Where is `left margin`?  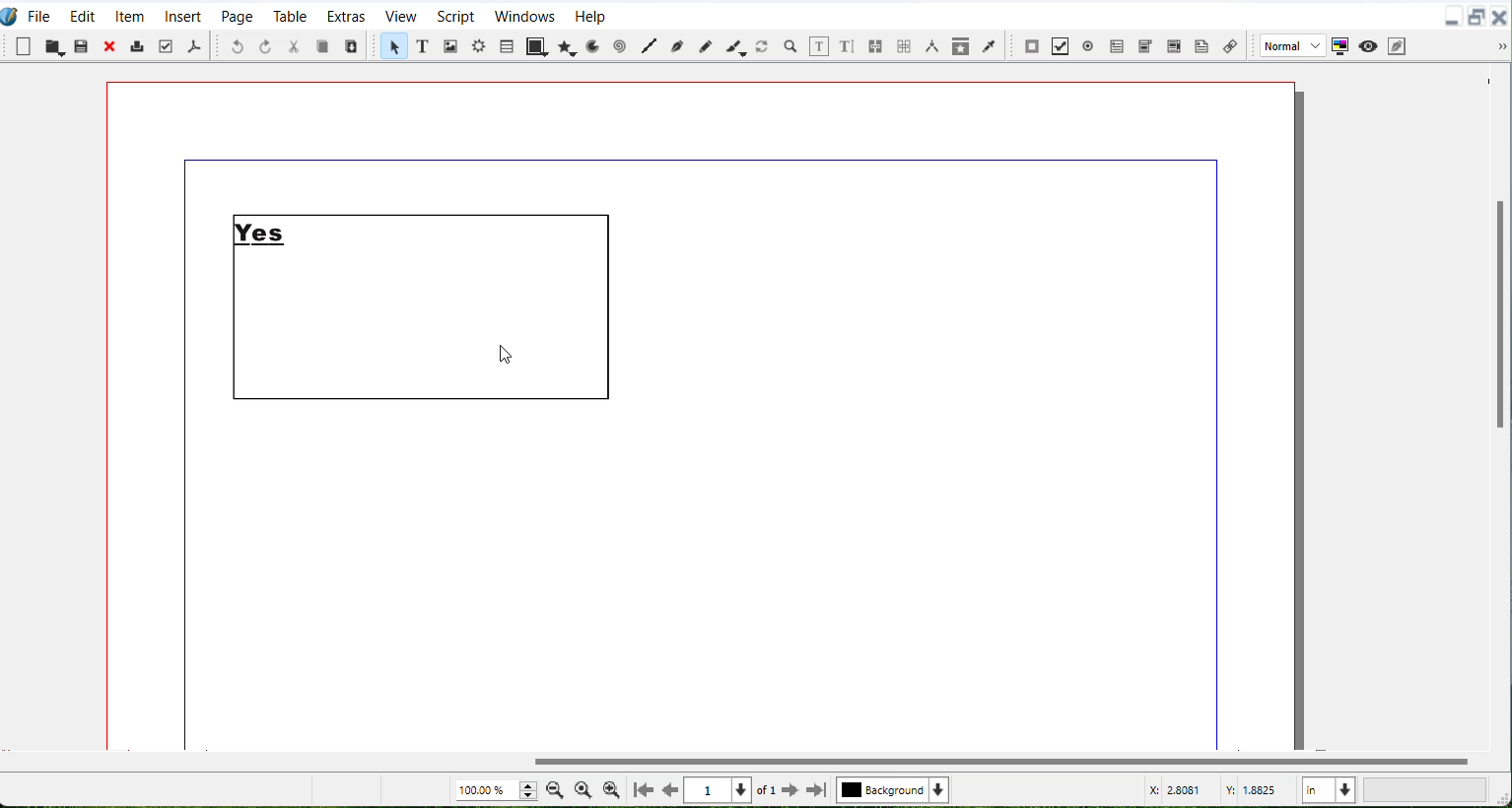
left margin is located at coordinates (181, 460).